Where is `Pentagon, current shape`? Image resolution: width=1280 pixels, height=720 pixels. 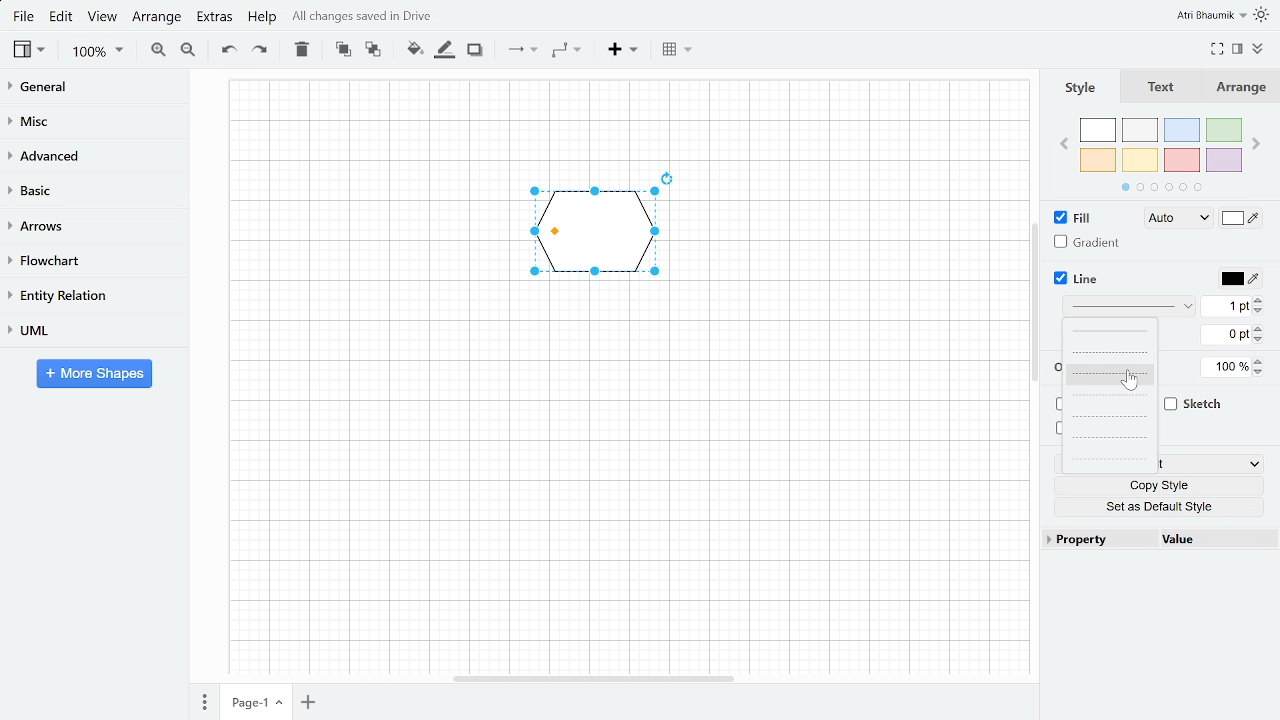 Pentagon, current shape is located at coordinates (595, 232).